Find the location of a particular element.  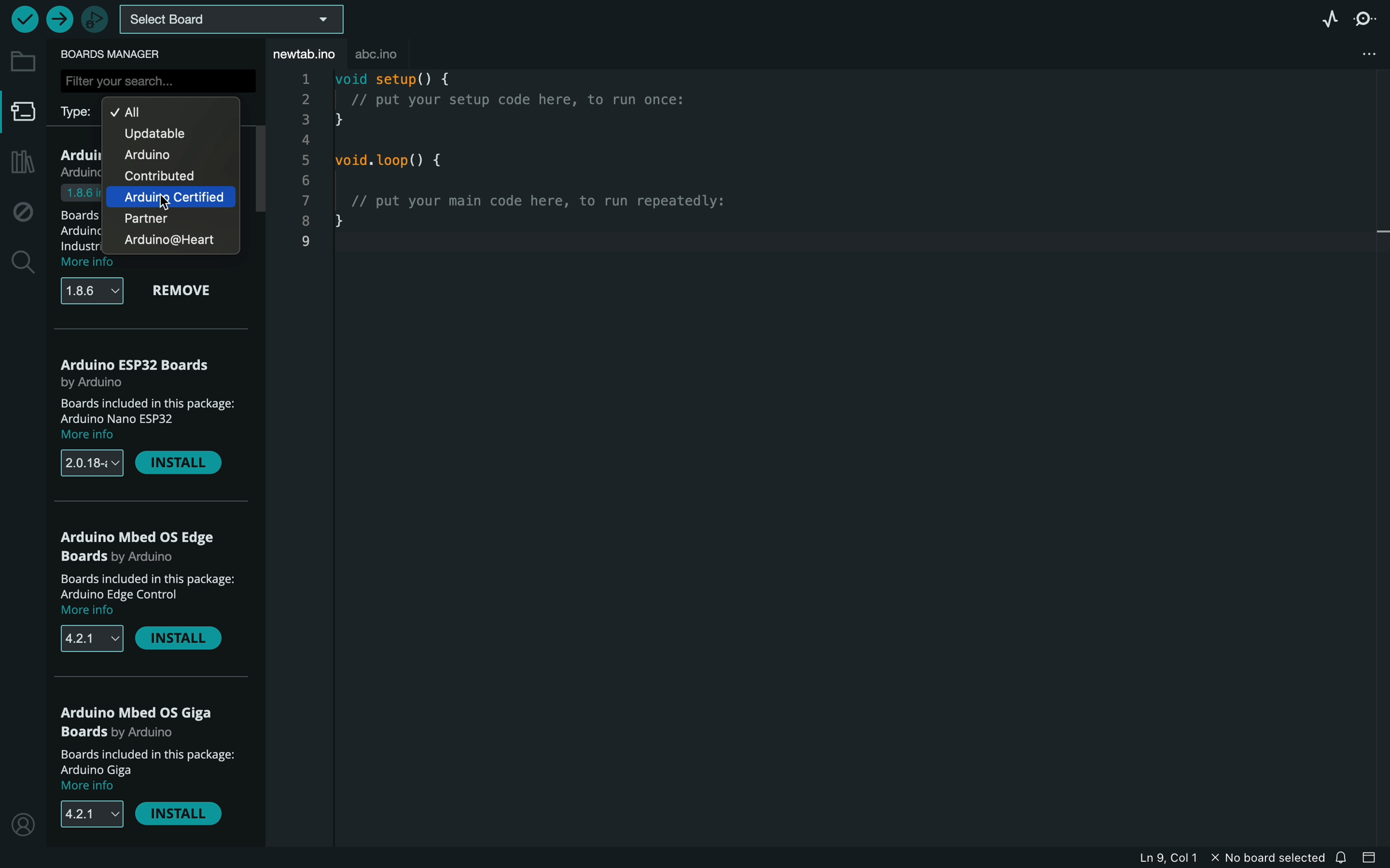

install is located at coordinates (181, 641).